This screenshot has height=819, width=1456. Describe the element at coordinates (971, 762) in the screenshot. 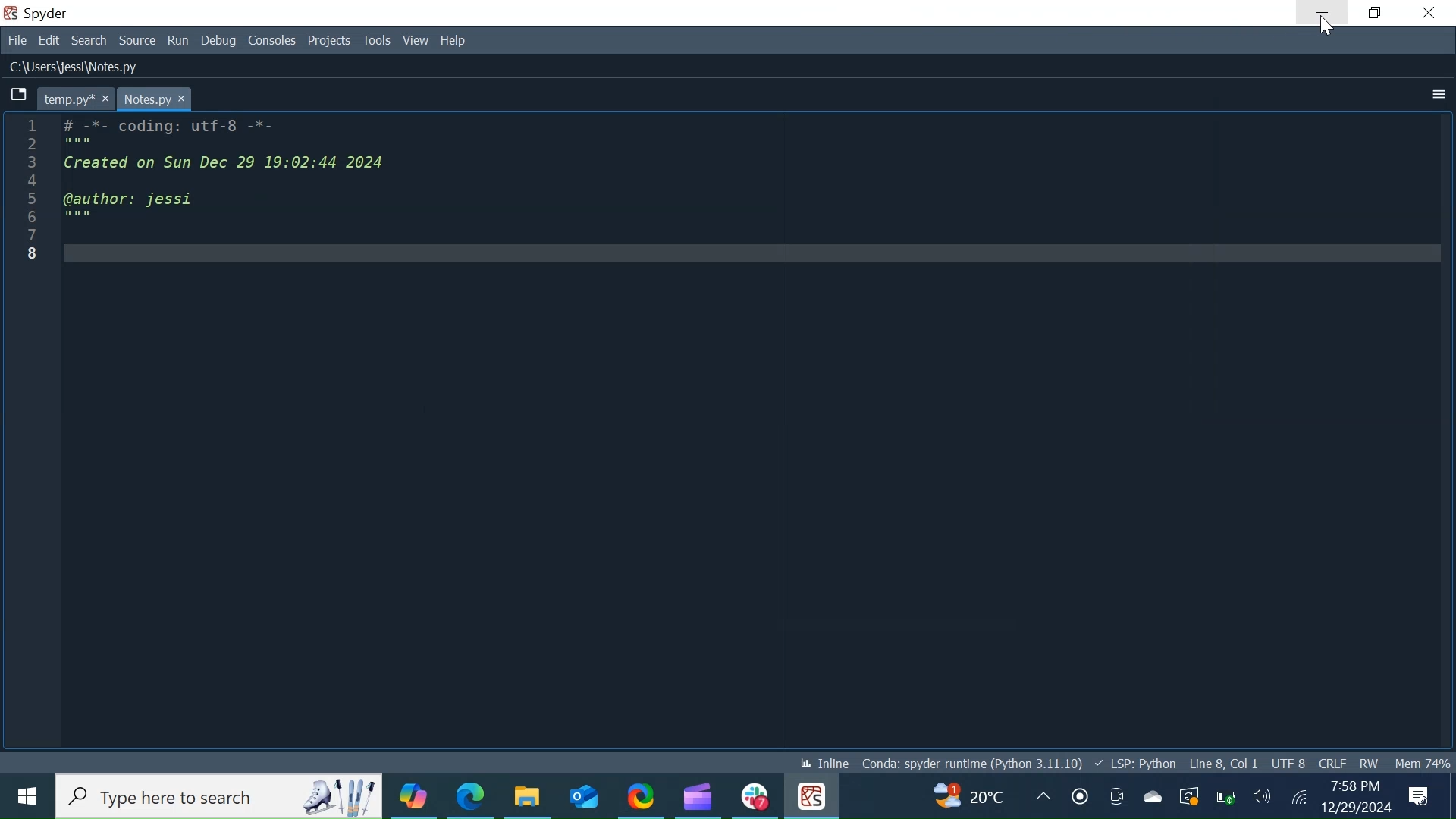

I see `Conda spyder-runtime (Python 3.11.10)` at that location.